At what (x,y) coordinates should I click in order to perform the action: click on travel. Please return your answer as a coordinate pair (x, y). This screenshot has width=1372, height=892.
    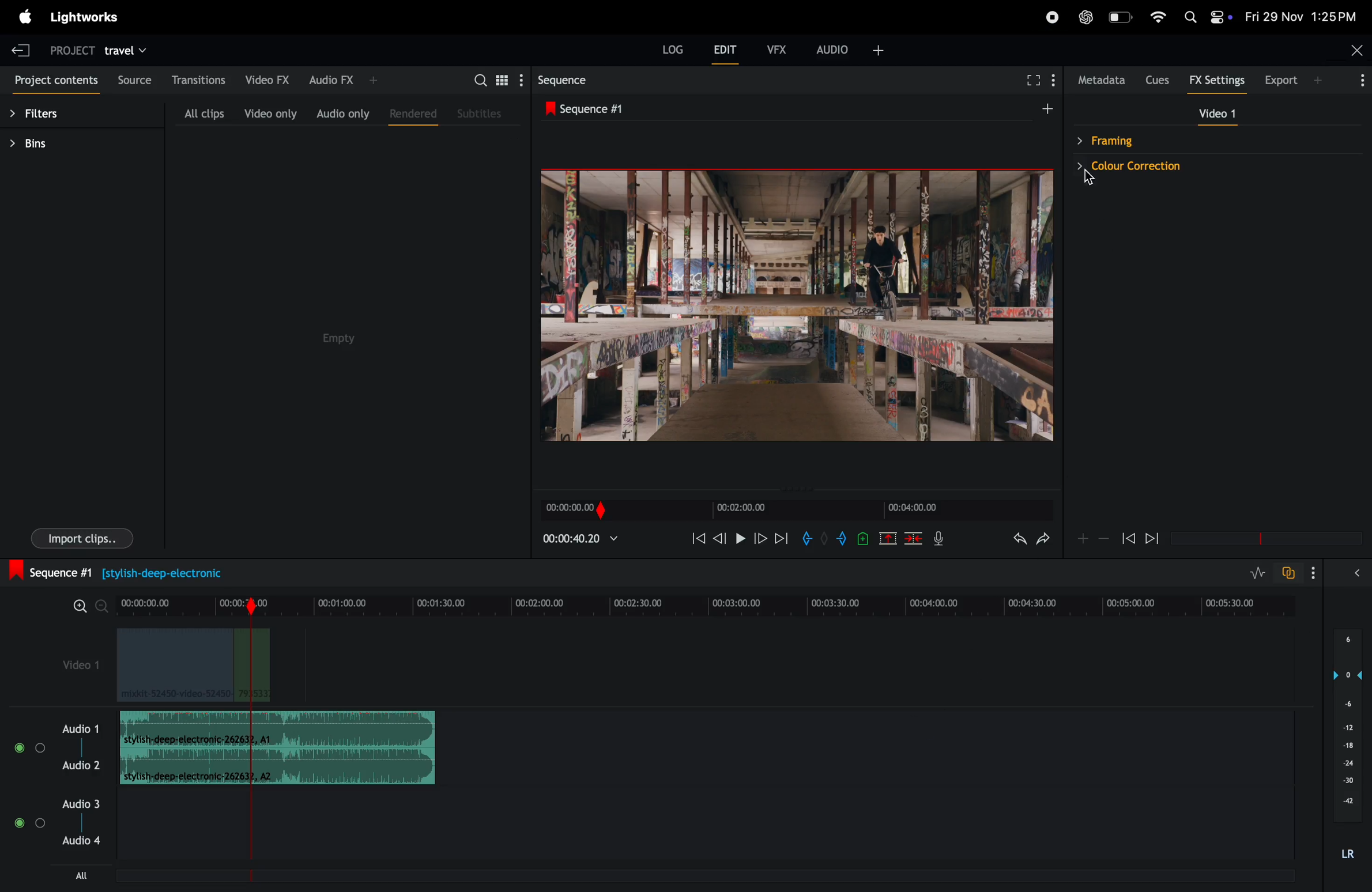
    Looking at the image, I should click on (128, 50).